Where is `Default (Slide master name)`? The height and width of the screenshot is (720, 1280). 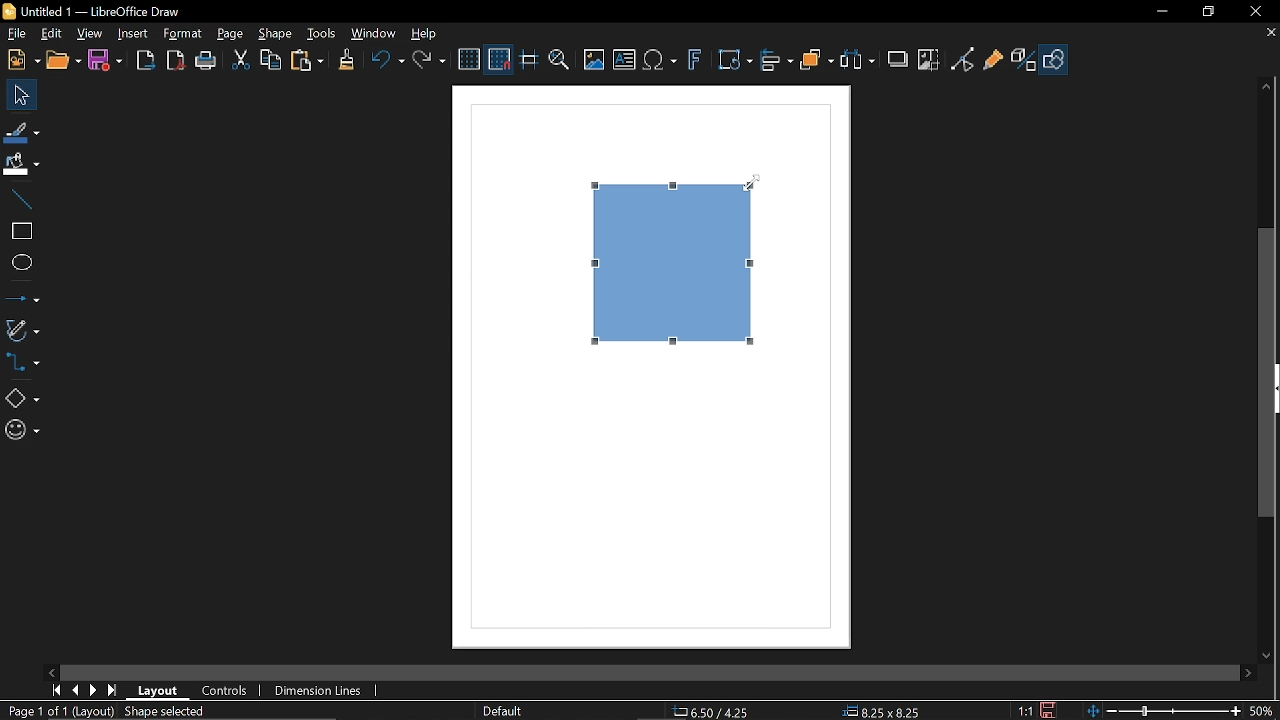
Default (Slide master name) is located at coordinates (504, 712).